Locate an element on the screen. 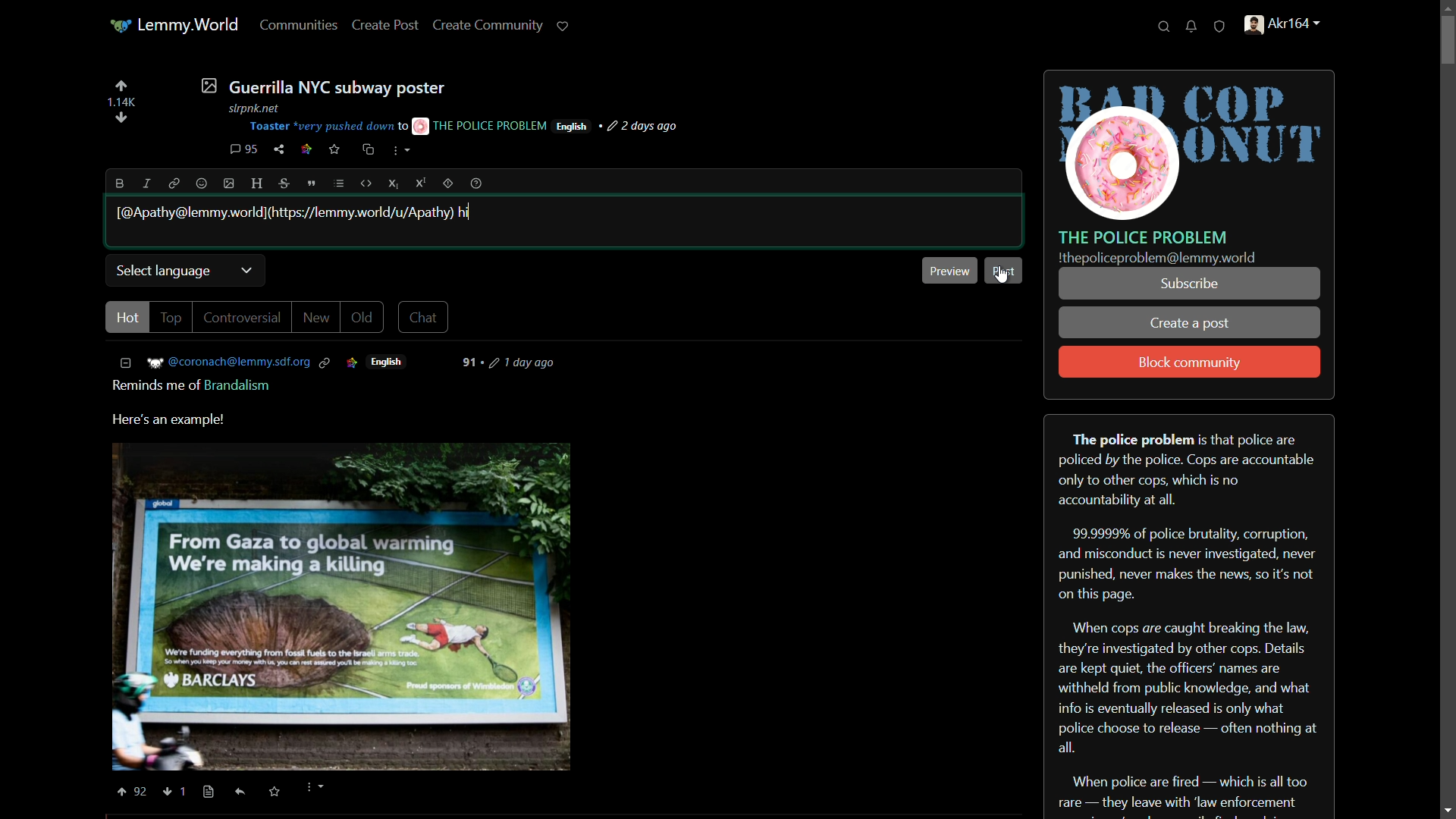  more options is located at coordinates (313, 789).